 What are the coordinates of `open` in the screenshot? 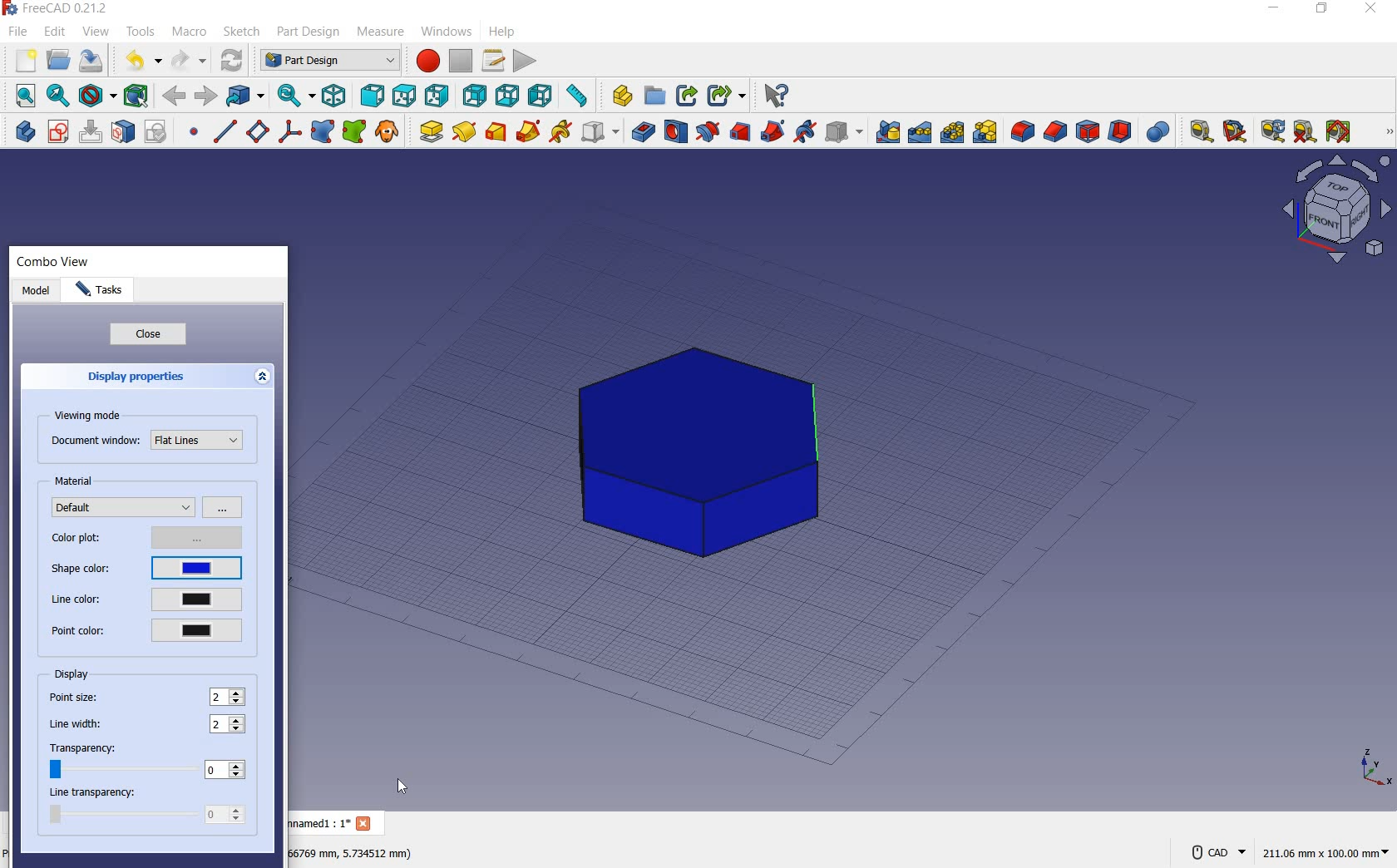 It's located at (59, 59).